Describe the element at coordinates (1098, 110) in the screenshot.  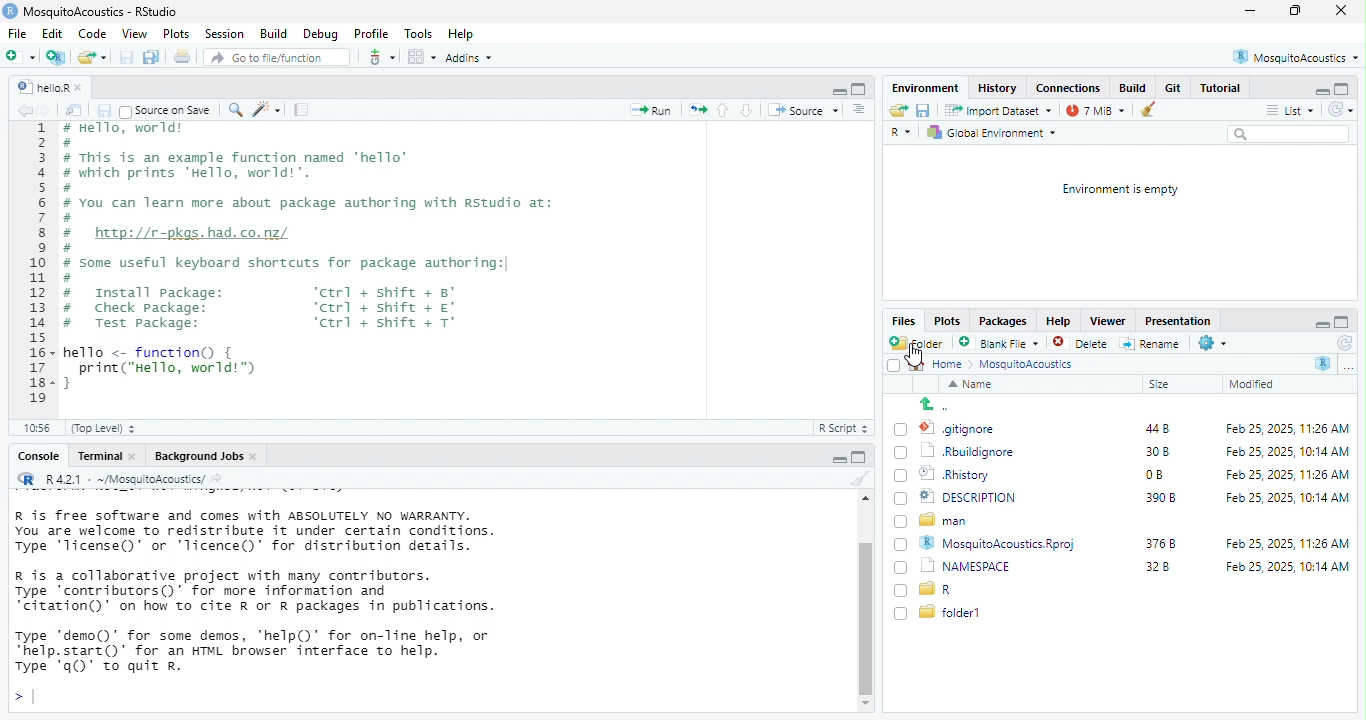
I see `7 mb` at that location.